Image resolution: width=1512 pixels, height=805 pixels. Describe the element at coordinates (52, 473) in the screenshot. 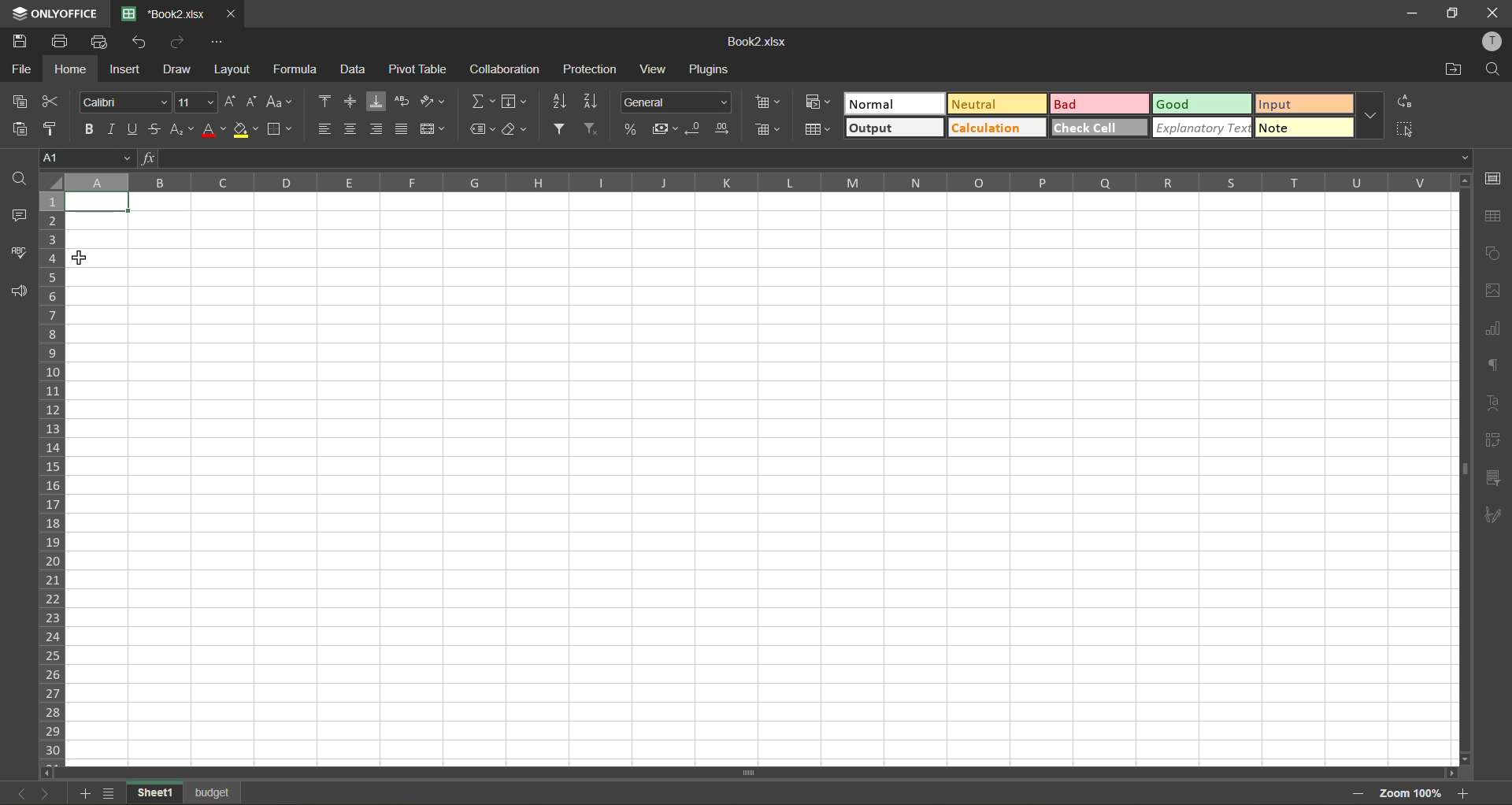

I see `row numbers` at that location.